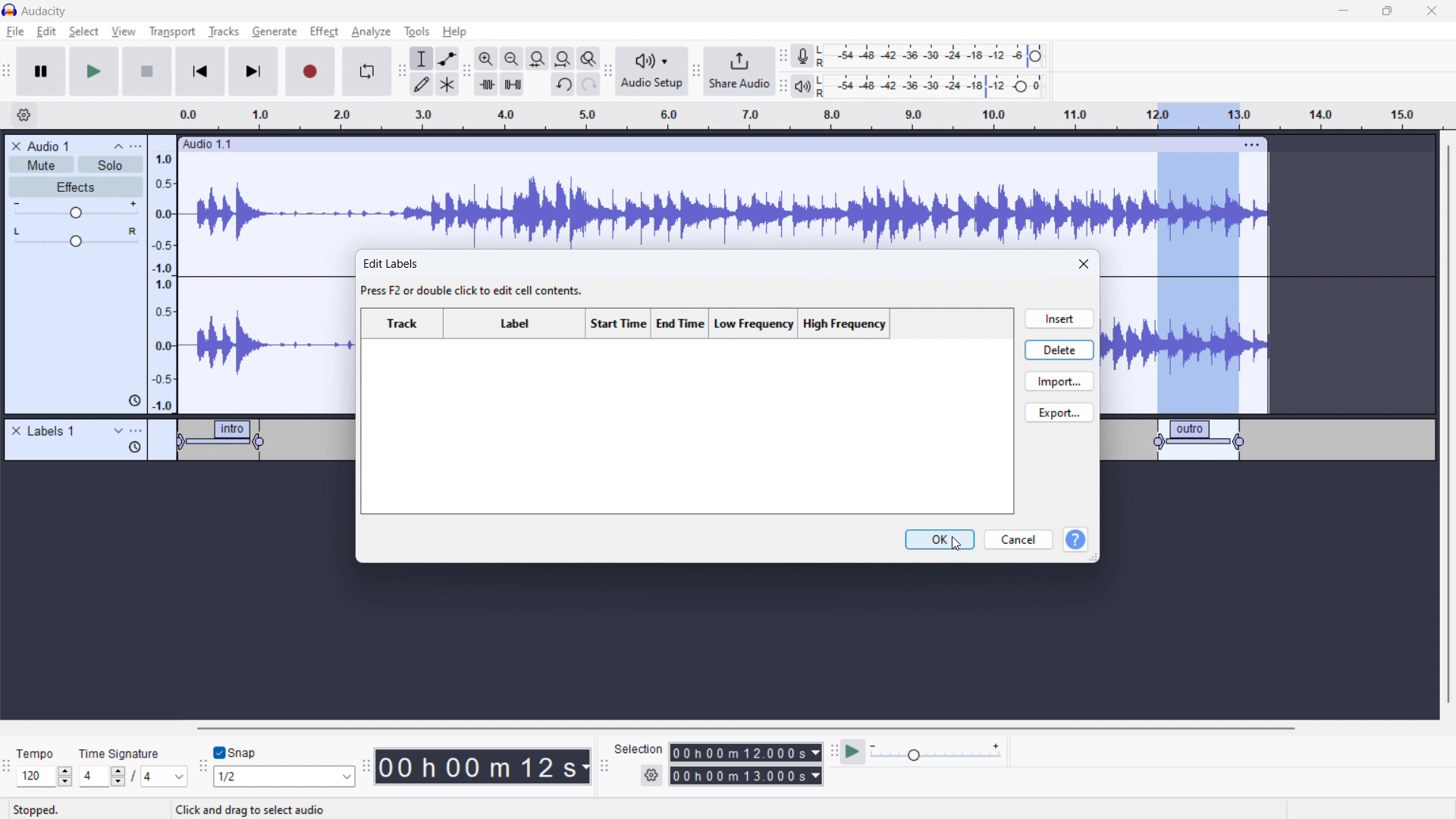 The height and width of the screenshot is (819, 1456). Describe the element at coordinates (563, 86) in the screenshot. I see `undo` at that location.